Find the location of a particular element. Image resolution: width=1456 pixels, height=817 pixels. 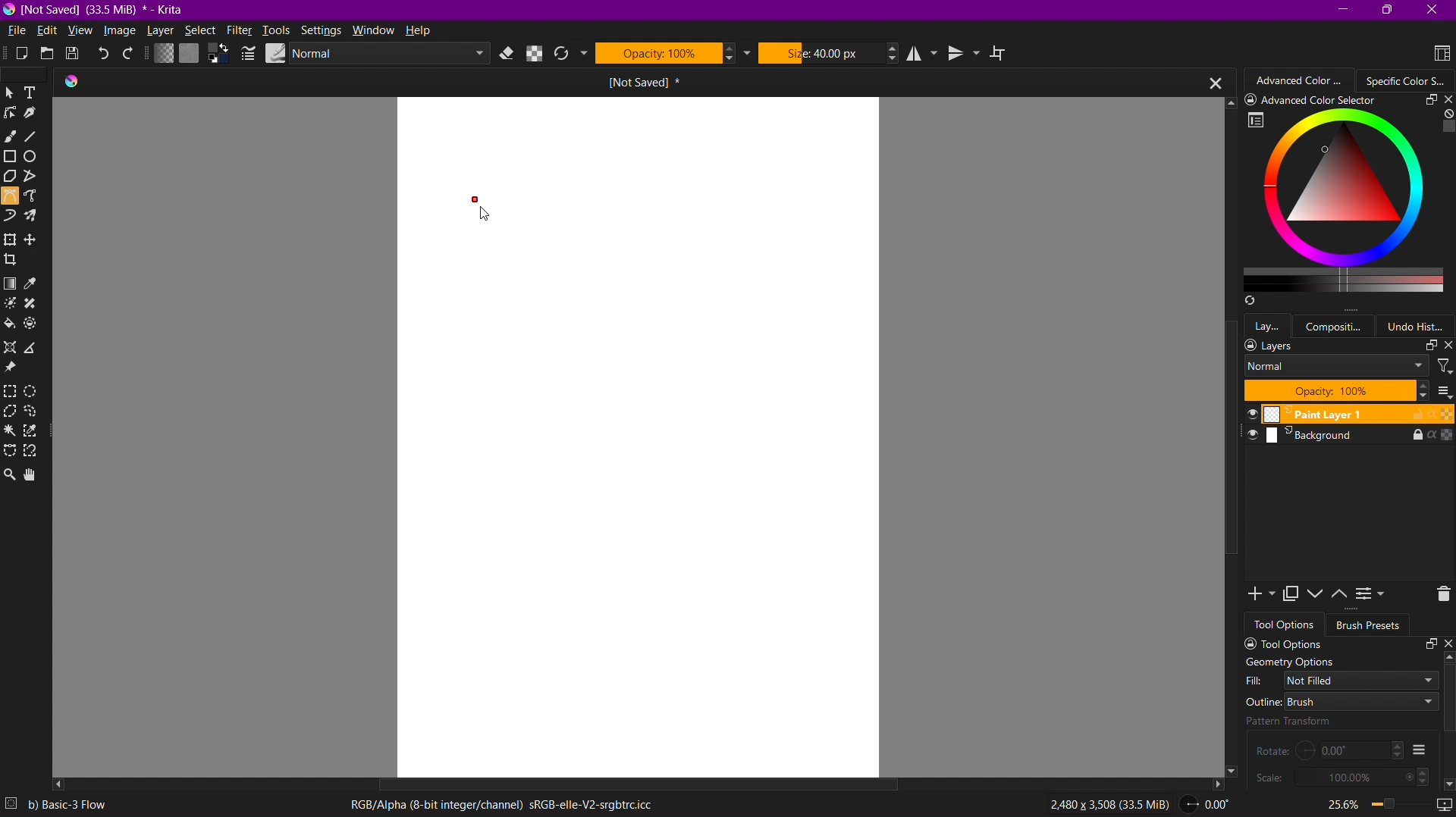

Opacity is located at coordinates (673, 52).